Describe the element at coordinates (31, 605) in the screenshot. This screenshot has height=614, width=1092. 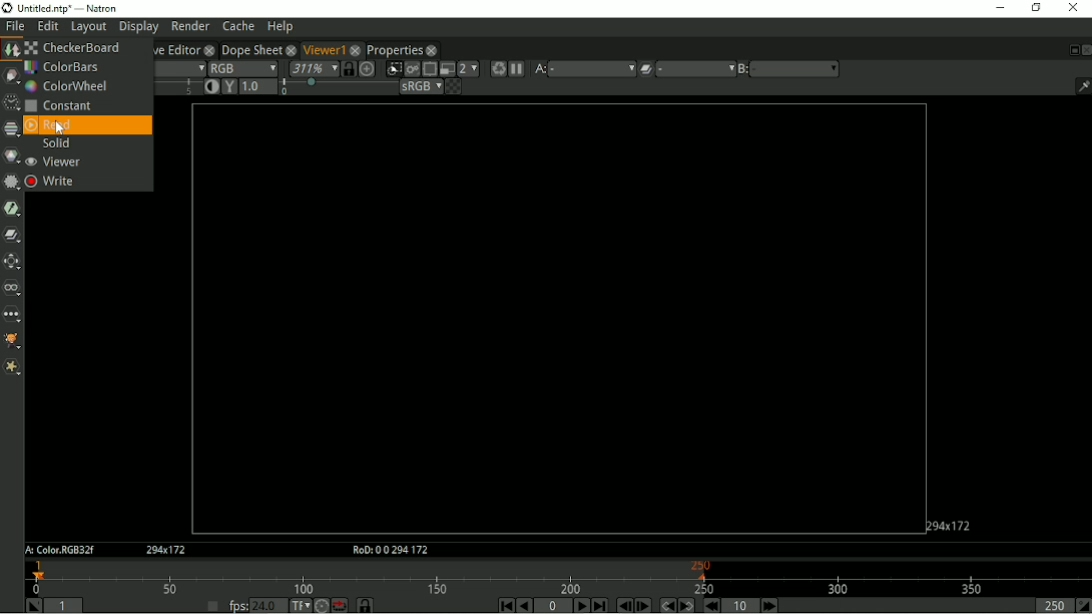
I see `Set playback in point at the current frame` at that location.